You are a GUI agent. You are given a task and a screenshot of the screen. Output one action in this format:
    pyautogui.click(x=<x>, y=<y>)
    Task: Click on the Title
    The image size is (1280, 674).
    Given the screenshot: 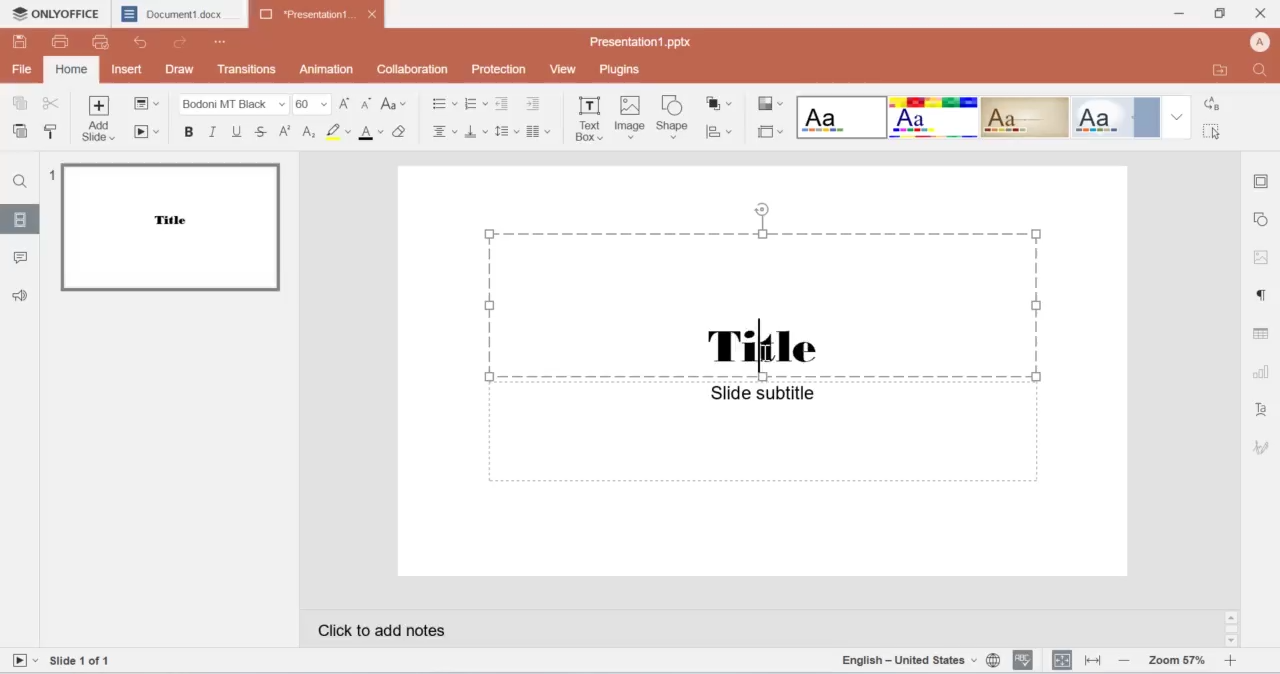 What is the action you would take?
    pyautogui.click(x=759, y=344)
    